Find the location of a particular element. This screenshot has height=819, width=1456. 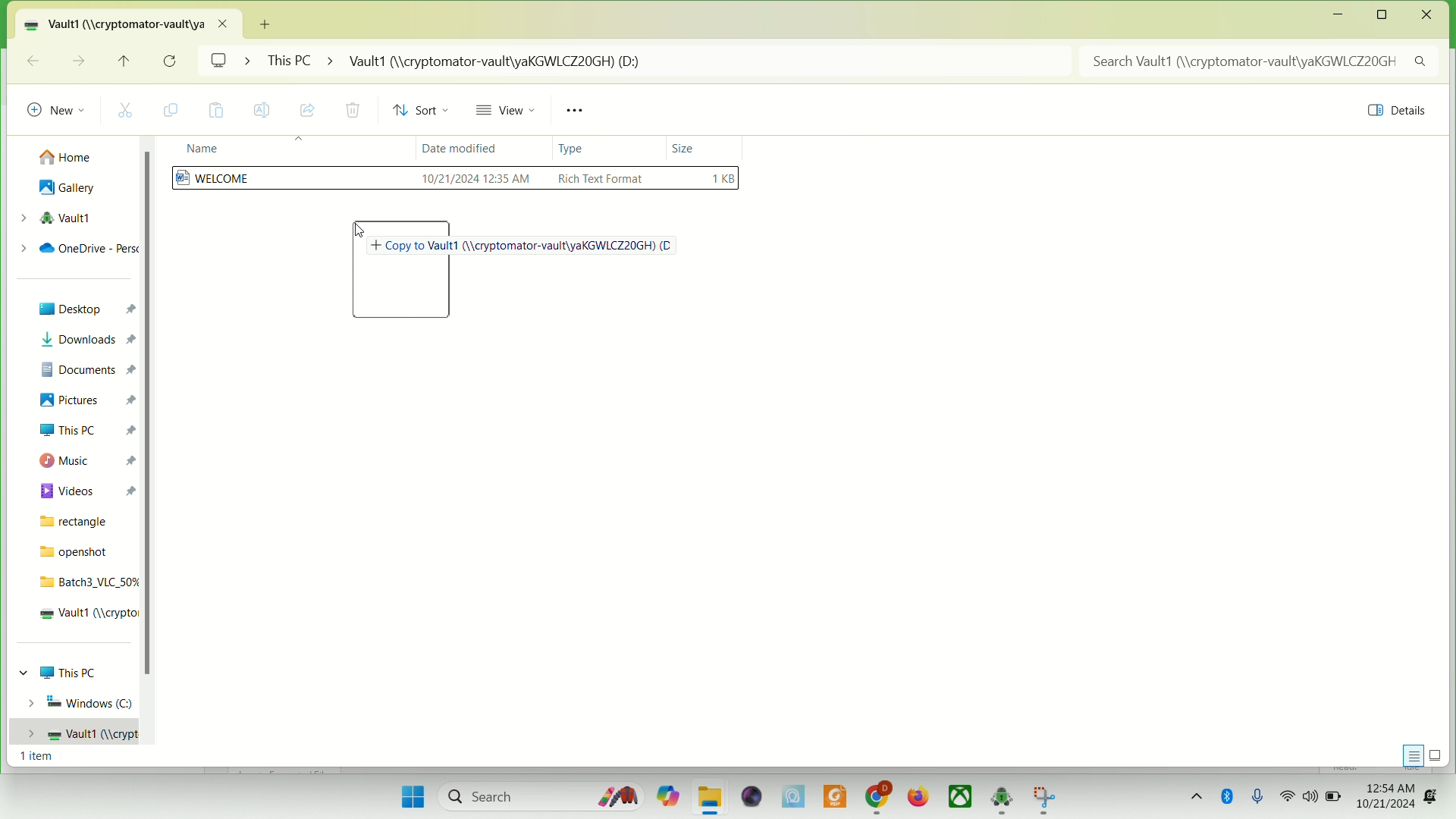

vault1 location is located at coordinates (133, 23).